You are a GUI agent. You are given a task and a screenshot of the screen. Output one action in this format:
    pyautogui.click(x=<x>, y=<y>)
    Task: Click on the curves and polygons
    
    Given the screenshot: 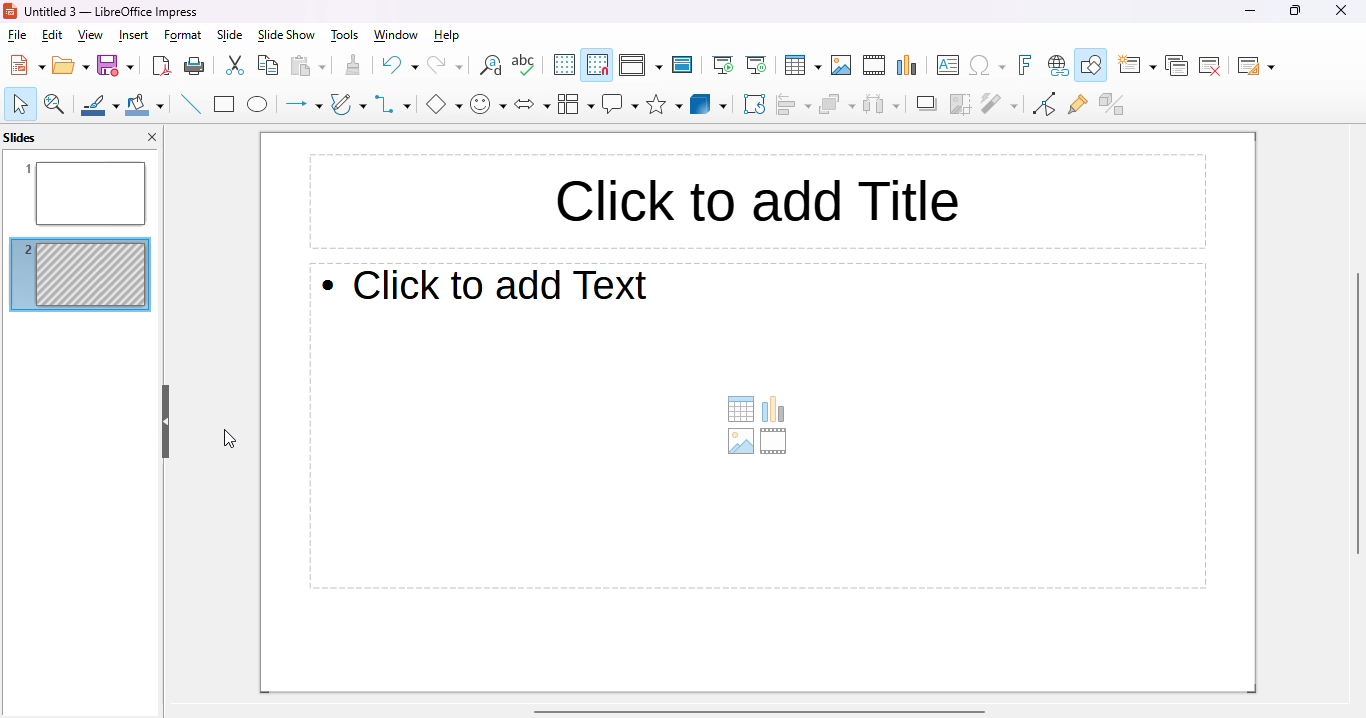 What is the action you would take?
    pyautogui.click(x=348, y=104)
    